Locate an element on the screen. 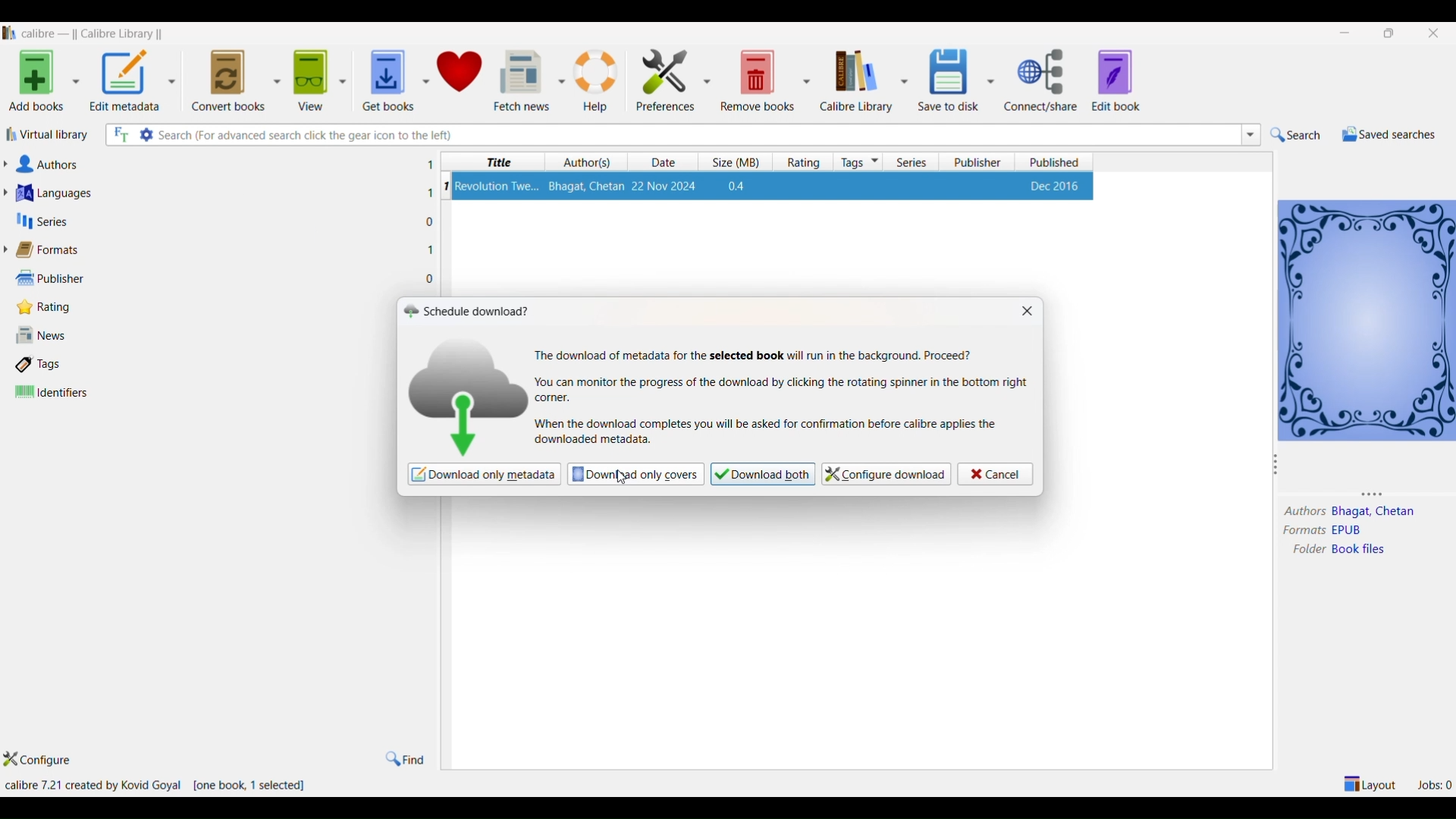  convert books is located at coordinates (228, 78).